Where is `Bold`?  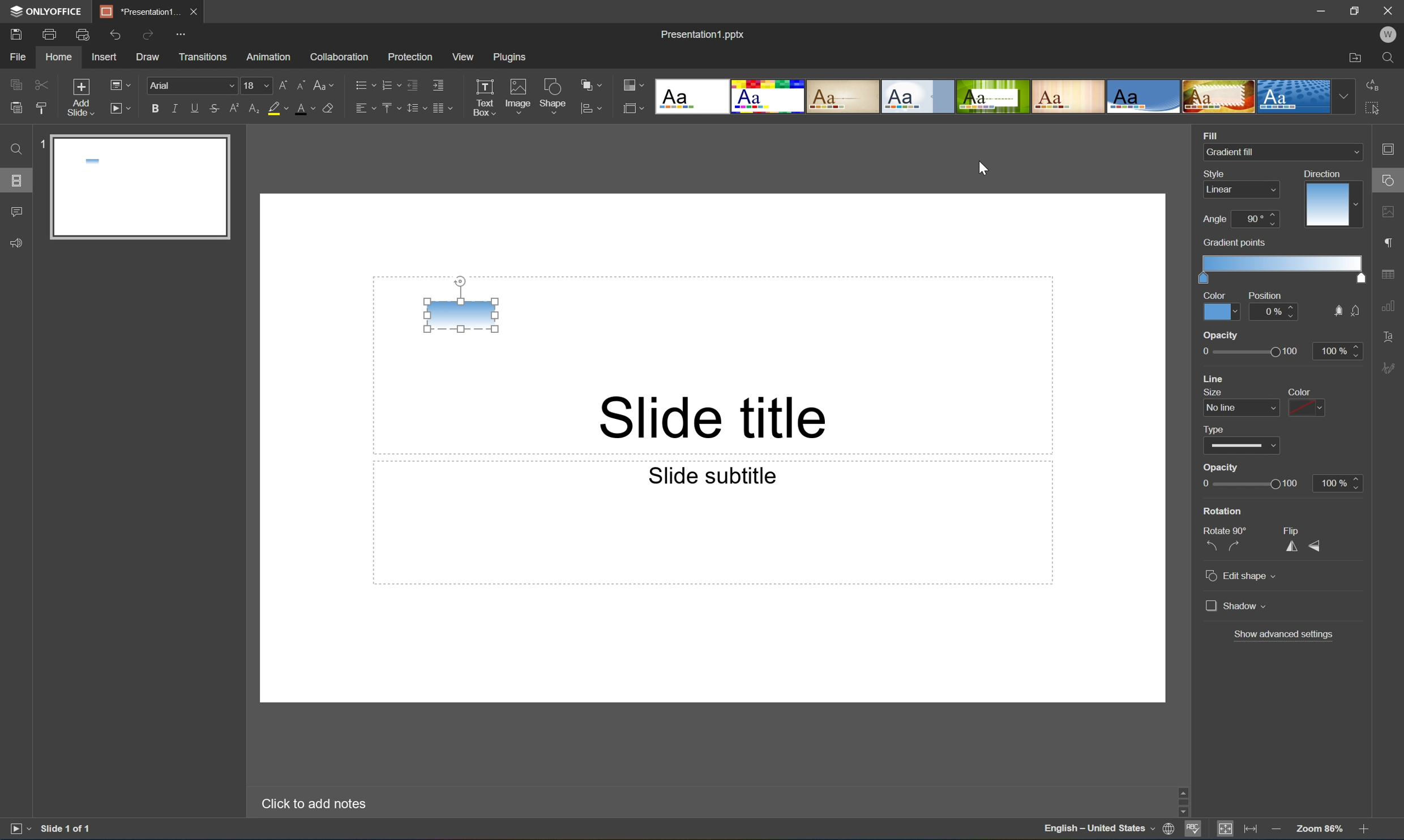 Bold is located at coordinates (156, 106).